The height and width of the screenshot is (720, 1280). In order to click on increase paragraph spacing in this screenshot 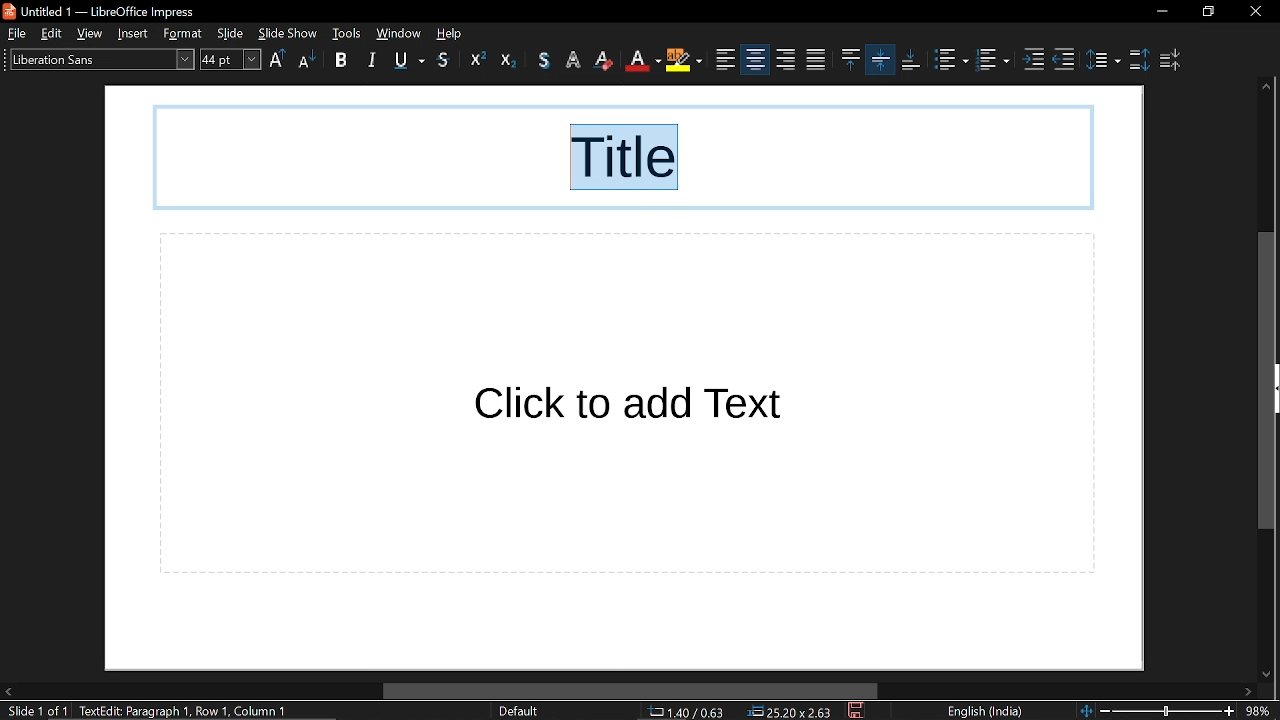, I will do `click(1138, 58)`.